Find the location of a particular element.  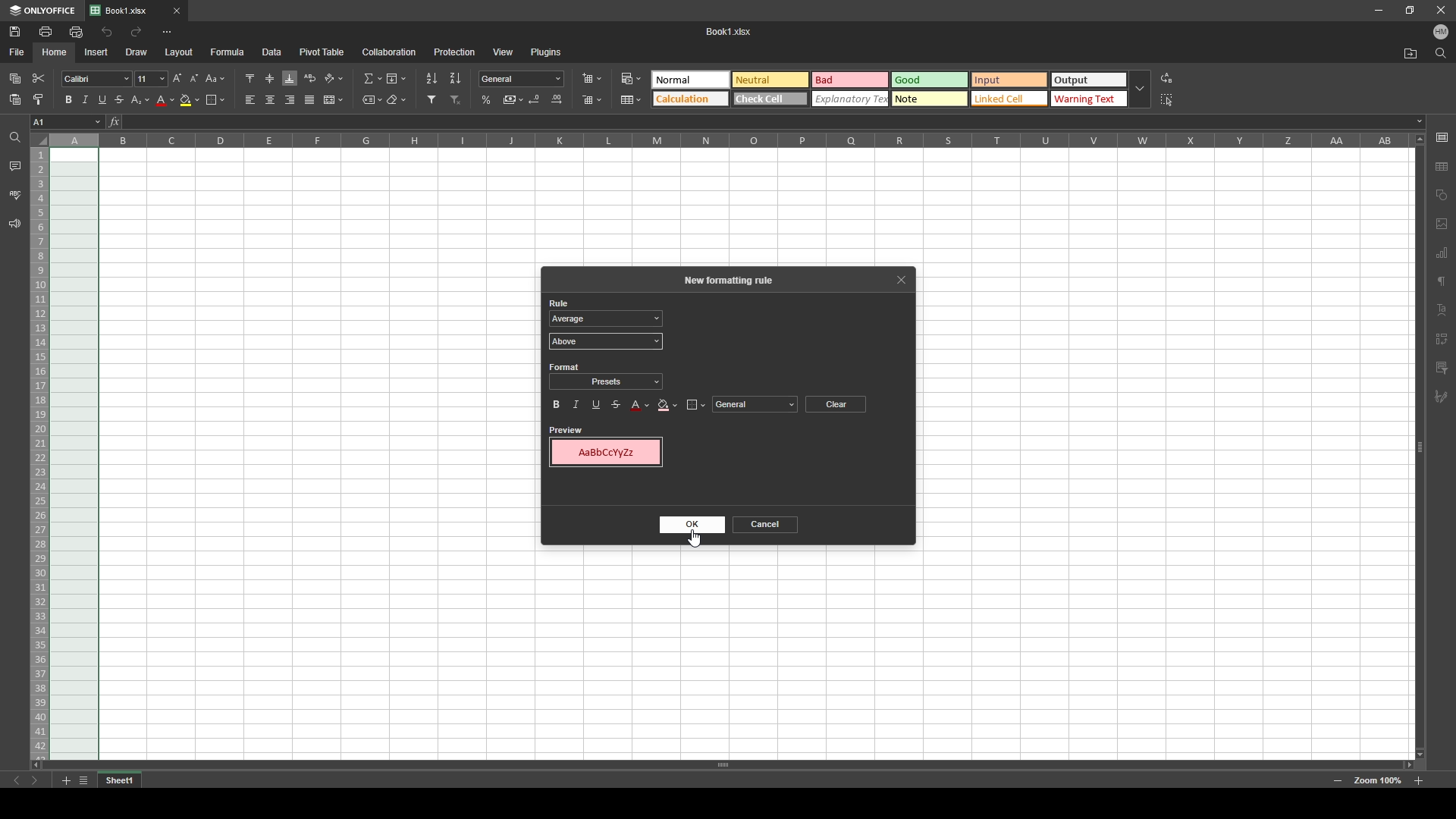

comma style is located at coordinates (513, 99).